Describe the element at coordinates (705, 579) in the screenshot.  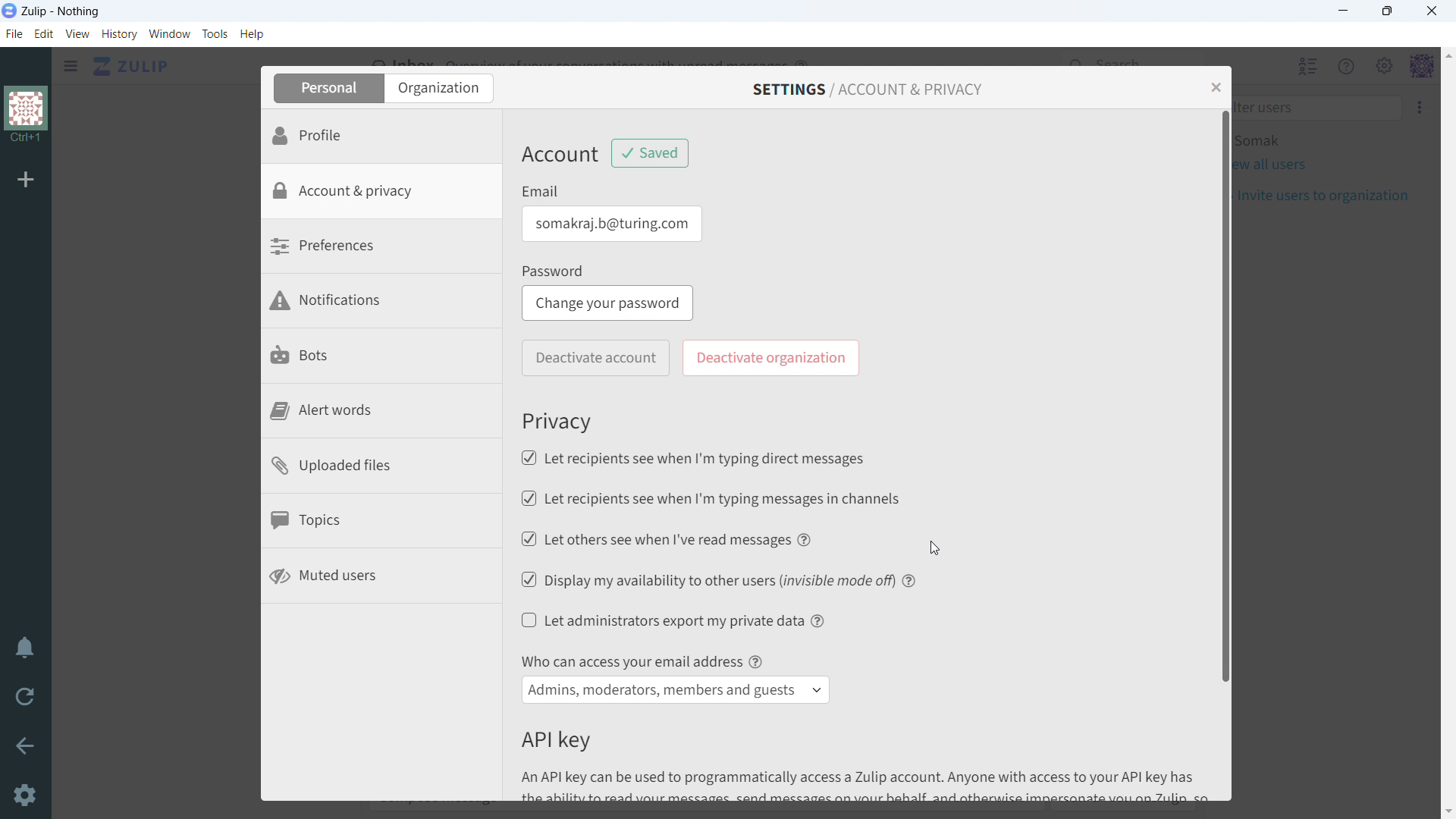
I see `display my availibility to other users` at that location.